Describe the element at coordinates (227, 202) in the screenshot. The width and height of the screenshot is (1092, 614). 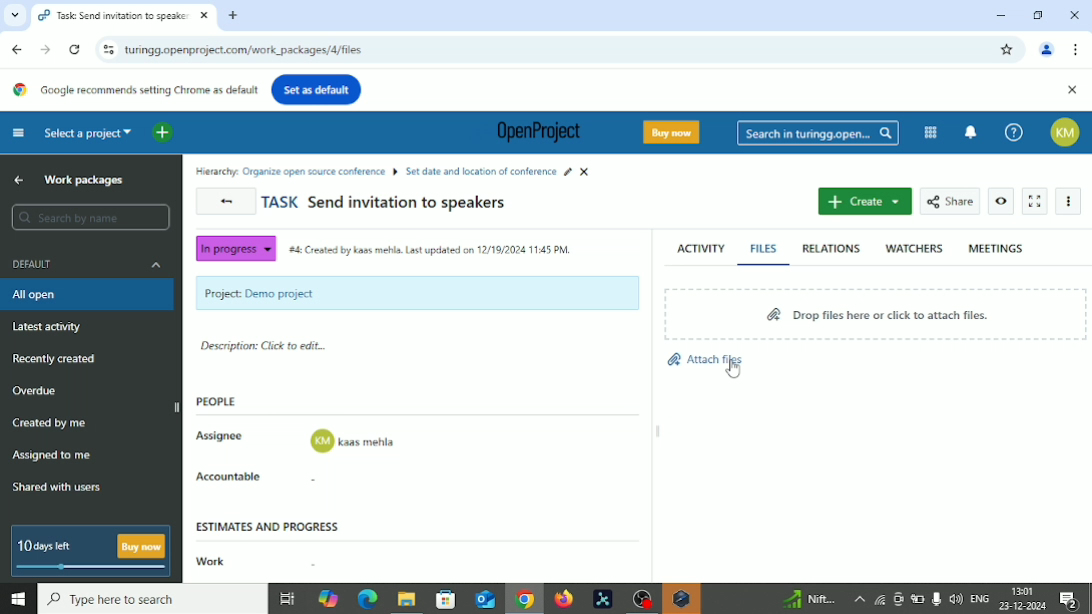
I see `Back` at that location.